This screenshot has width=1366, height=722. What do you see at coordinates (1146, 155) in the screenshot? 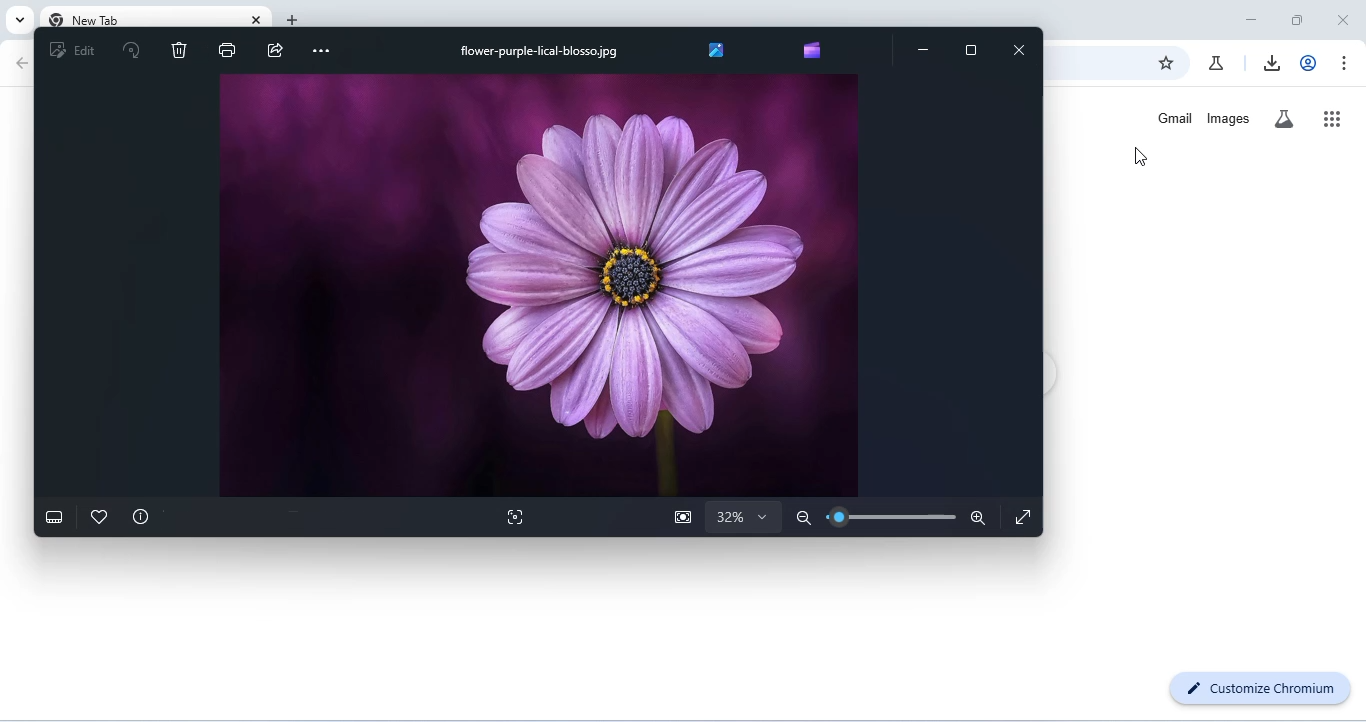
I see `cursor` at bounding box center [1146, 155].